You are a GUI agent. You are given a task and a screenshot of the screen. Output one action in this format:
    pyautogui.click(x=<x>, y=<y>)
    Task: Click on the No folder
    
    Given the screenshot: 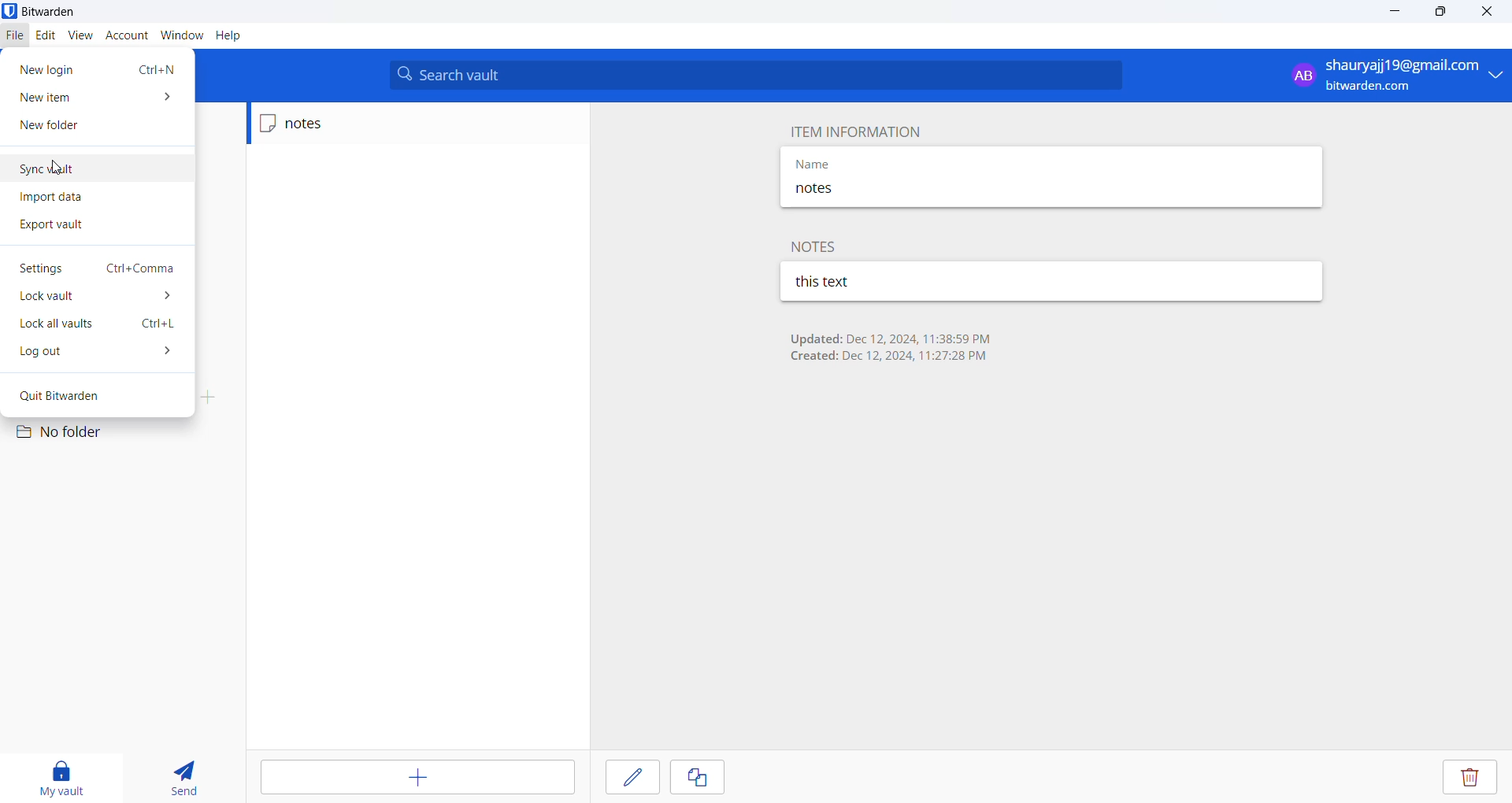 What is the action you would take?
    pyautogui.click(x=72, y=435)
    